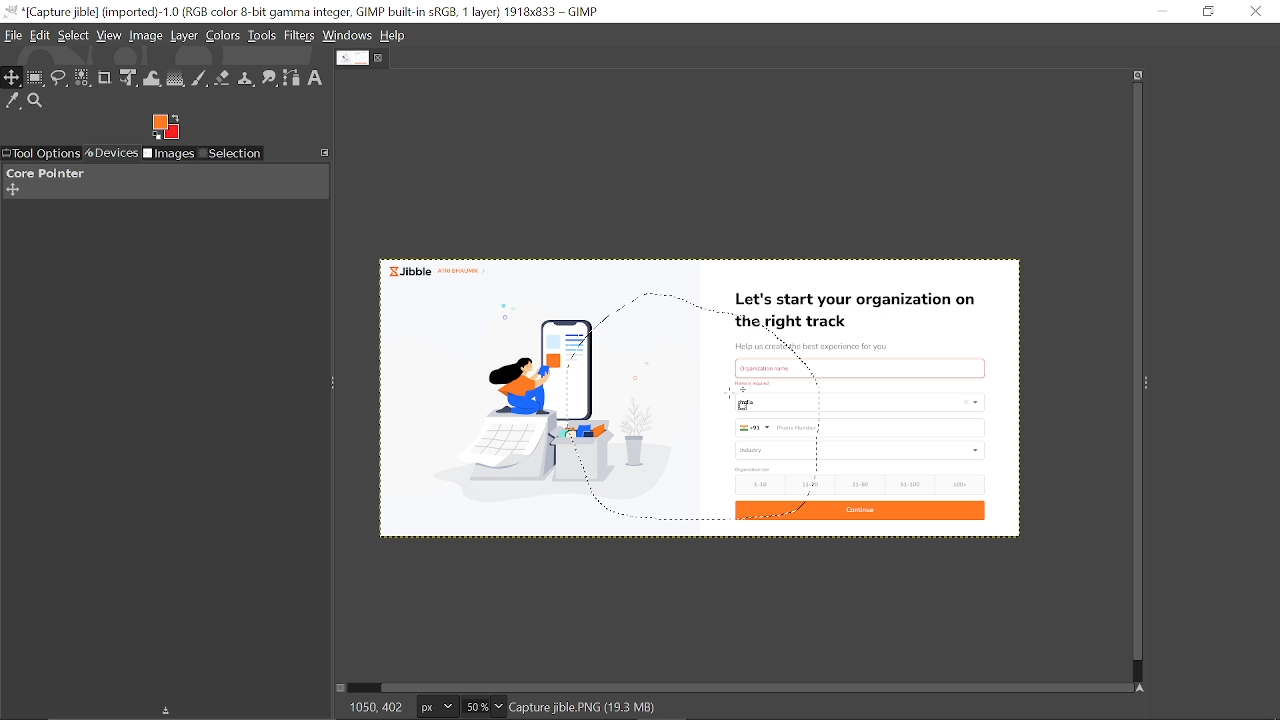  I want to click on text, so click(779, 367).